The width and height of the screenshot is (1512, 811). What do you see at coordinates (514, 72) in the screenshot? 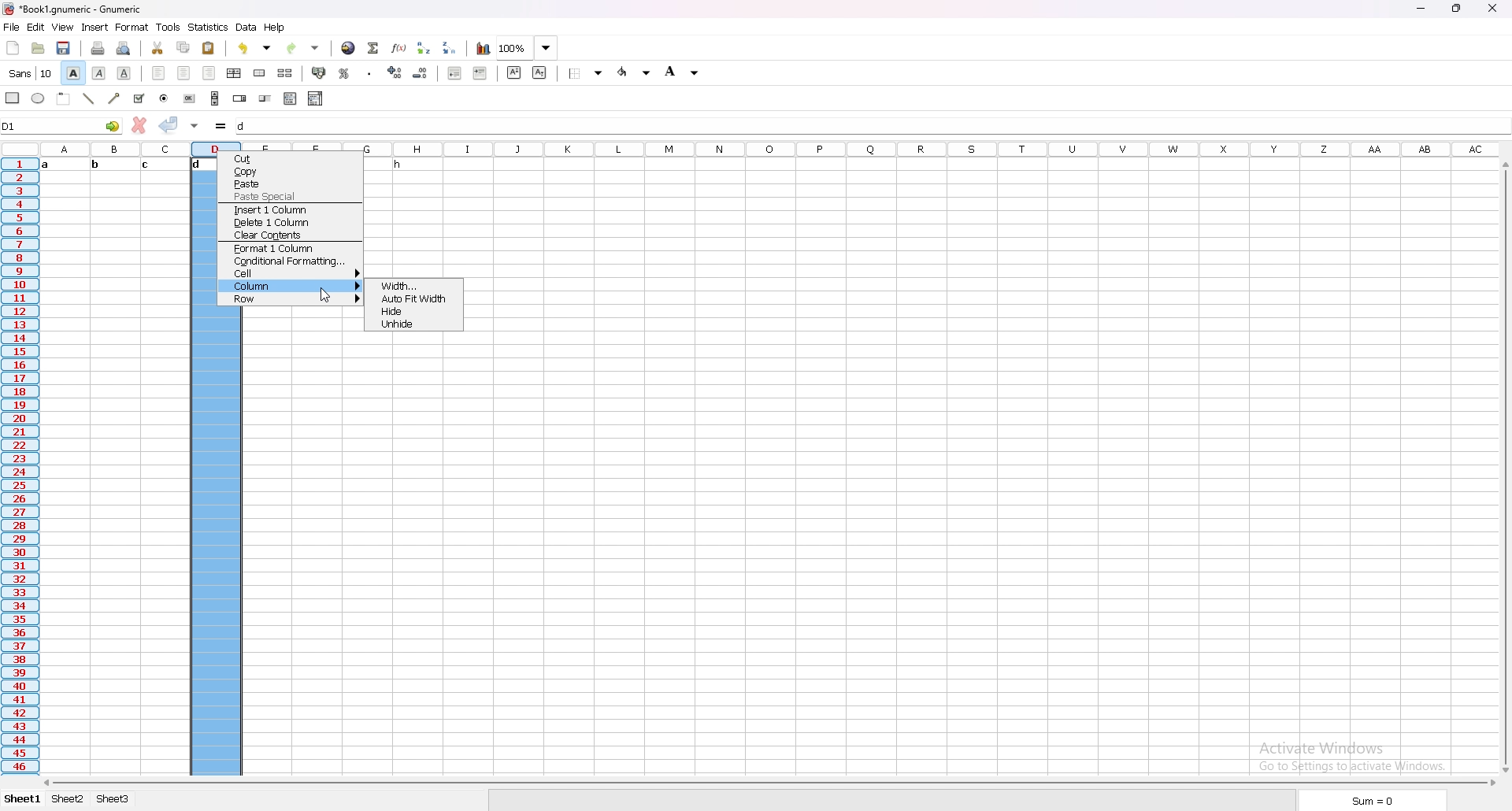
I see `superscript` at bounding box center [514, 72].